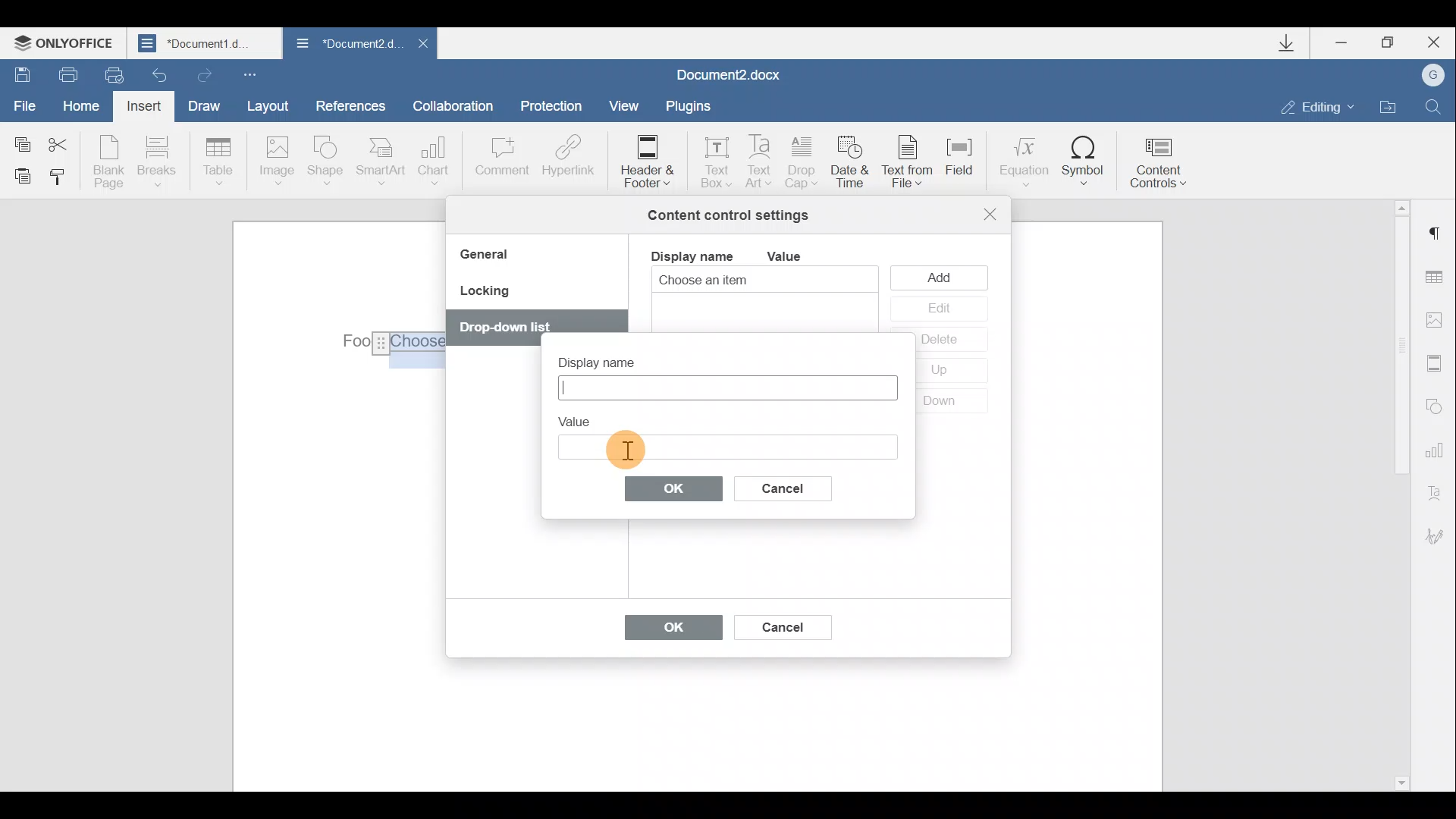 This screenshot has width=1456, height=819. Describe the element at coordinates (990, 214) in the screenshot. I see `Close` at that location.